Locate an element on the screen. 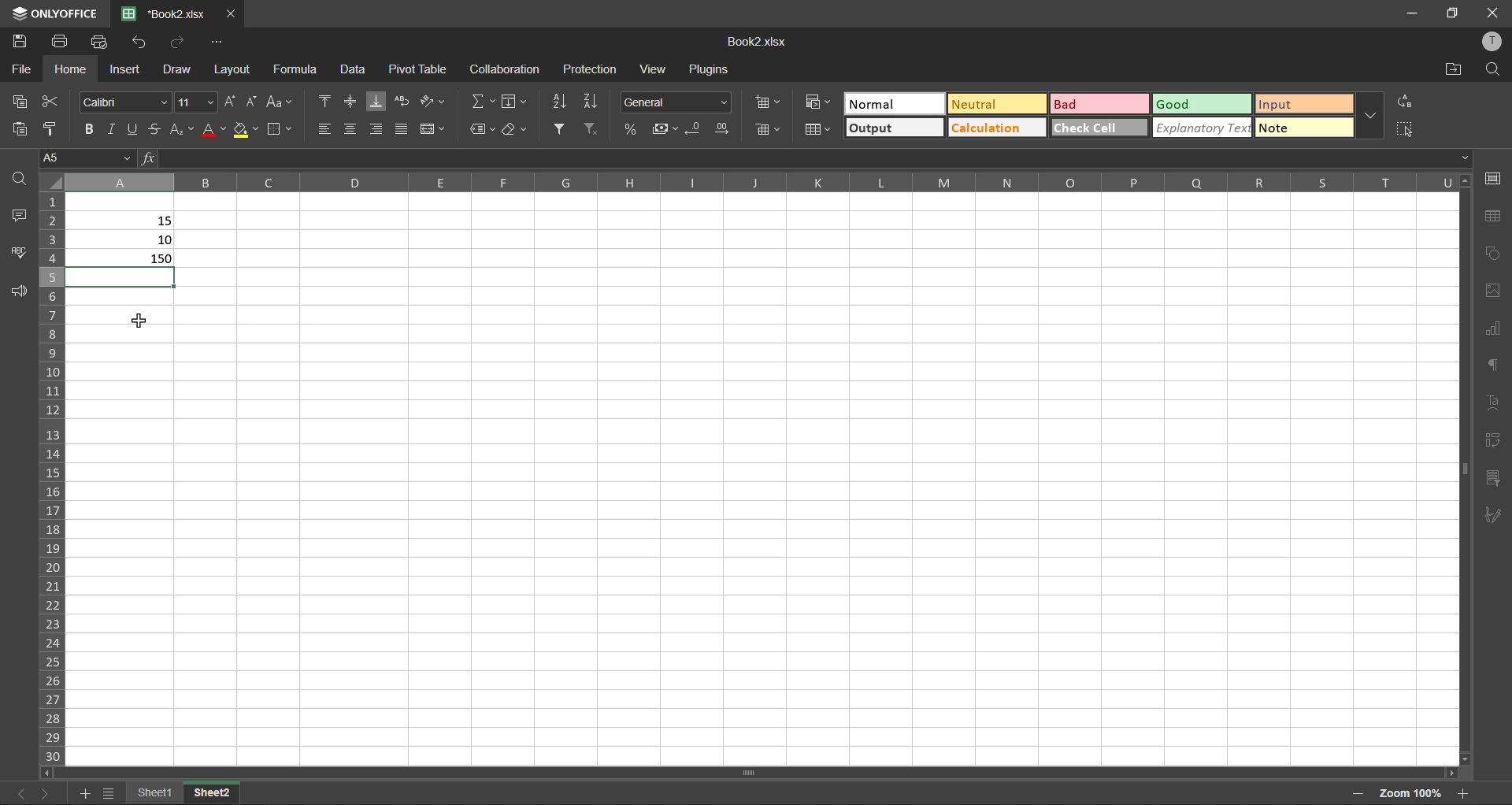 This screenshot has height=805, width=1512. find is located at coordinates (22, 178).